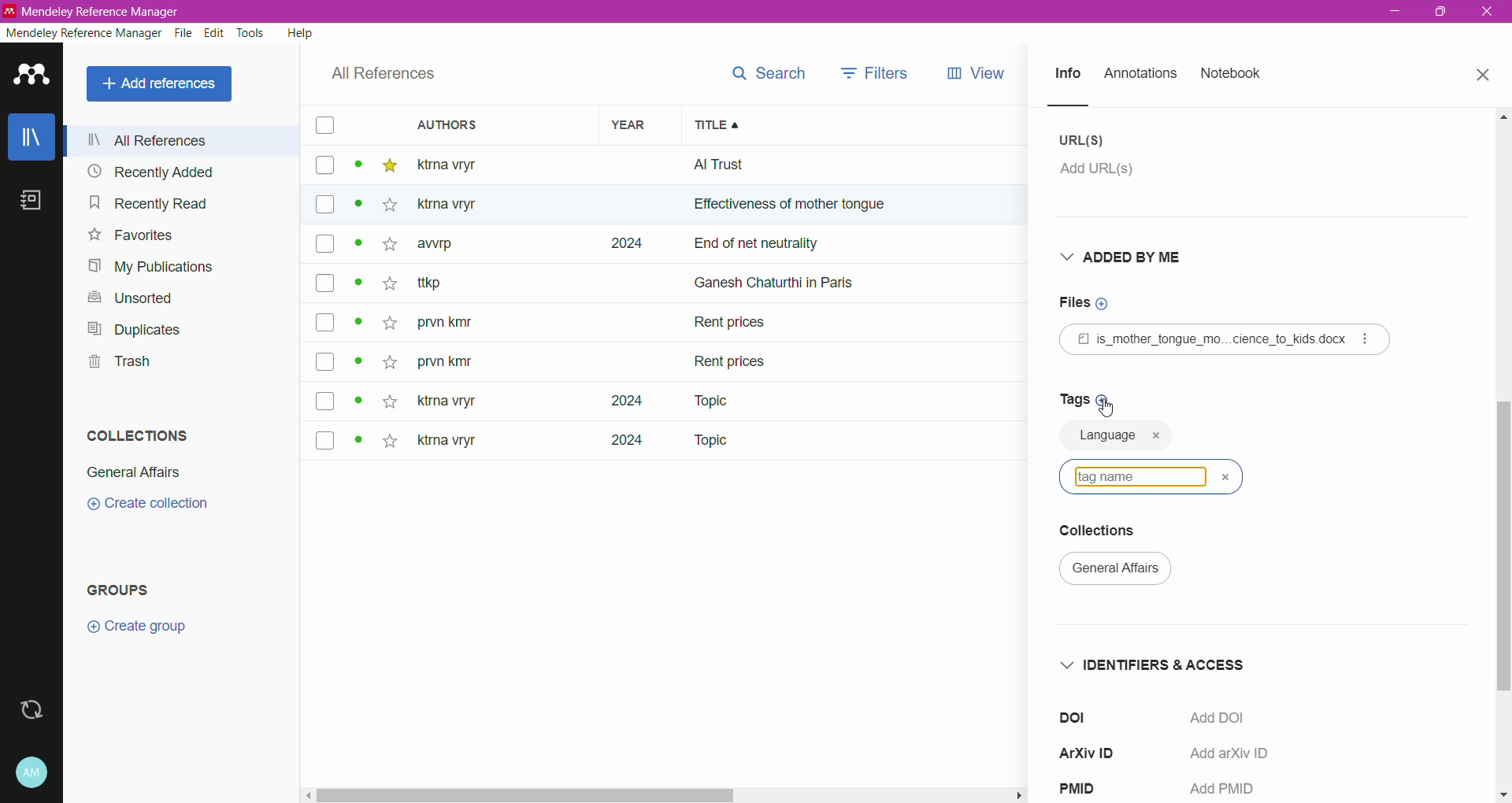 The height and width of the screenshot is (803, 1512). Describe the element at coordinates (455, 283) in the screenshot. I see `~ ttkp` at that location.